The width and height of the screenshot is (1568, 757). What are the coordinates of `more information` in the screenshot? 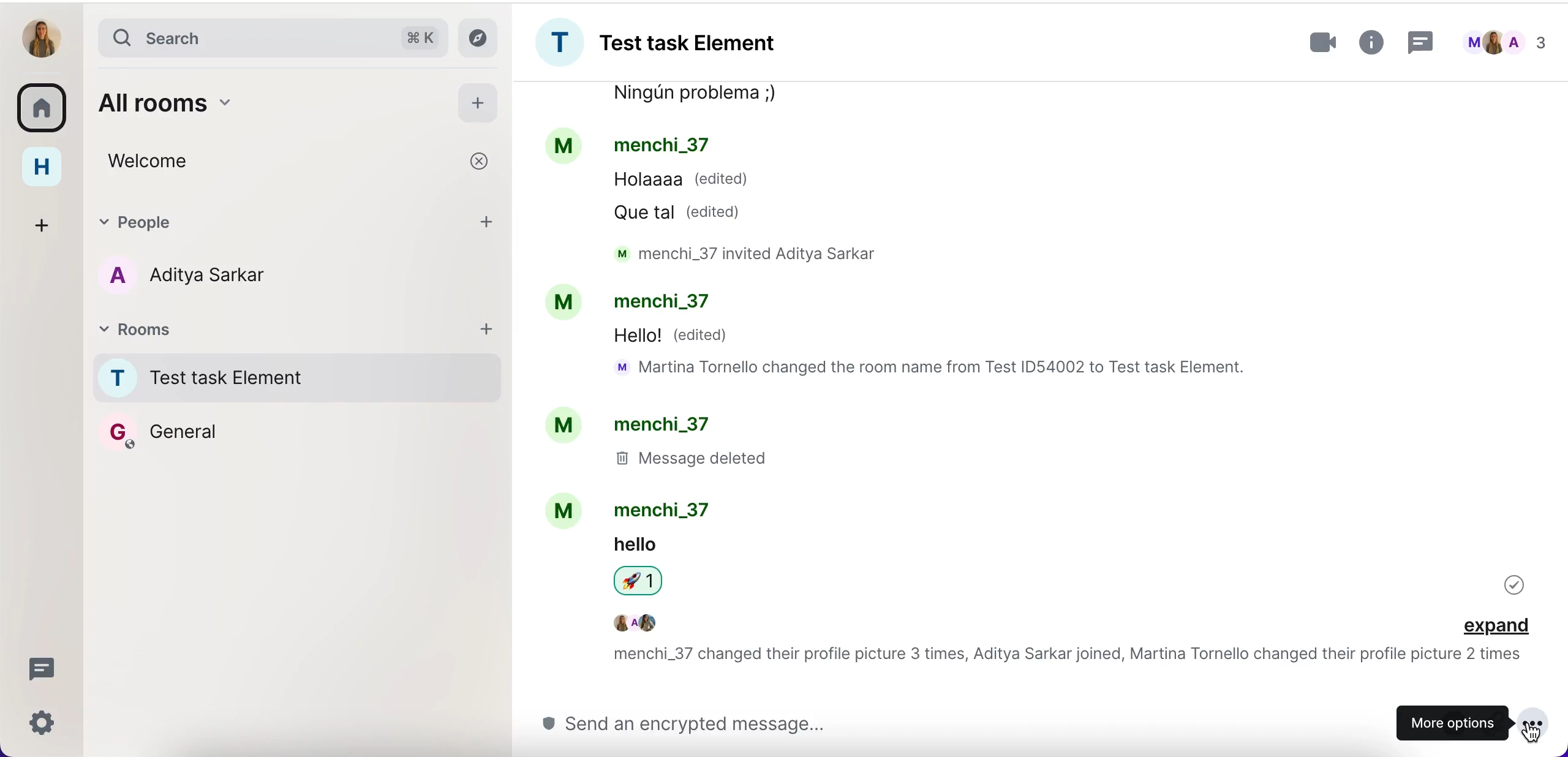 It's located at (1373, 43).